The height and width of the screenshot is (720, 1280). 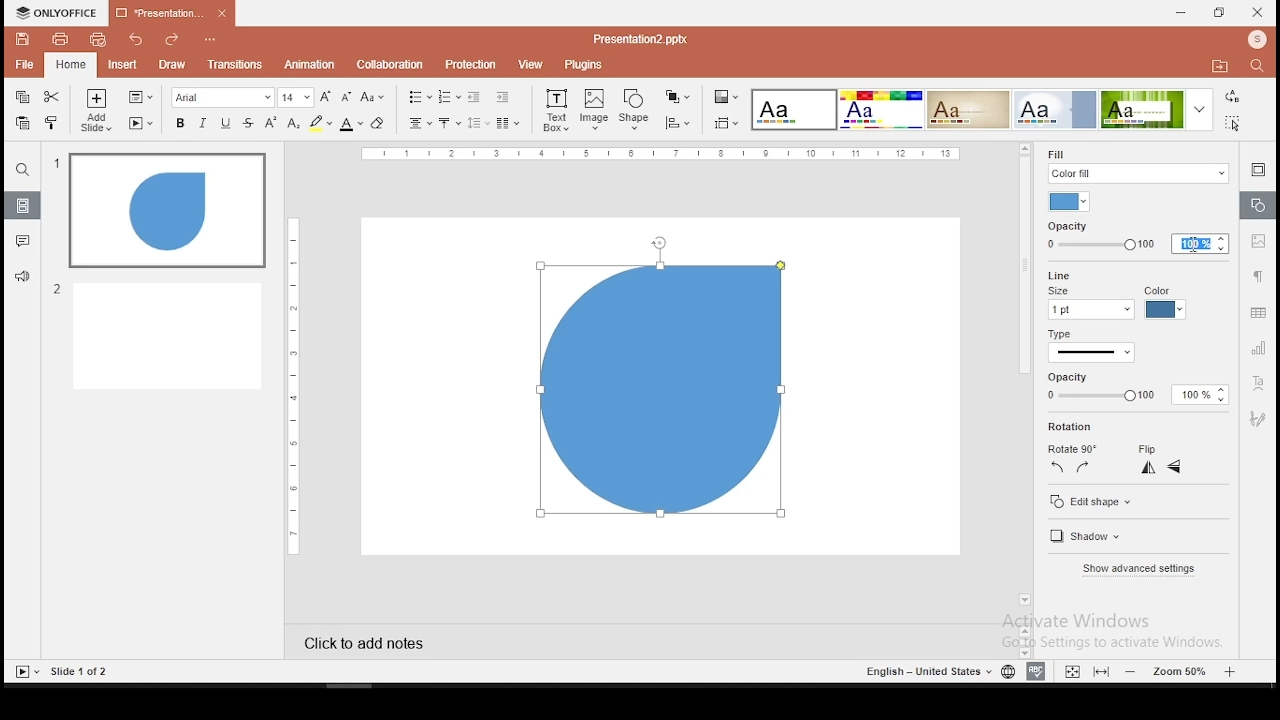 I want to click on quick print, so click(x=96, y=40).